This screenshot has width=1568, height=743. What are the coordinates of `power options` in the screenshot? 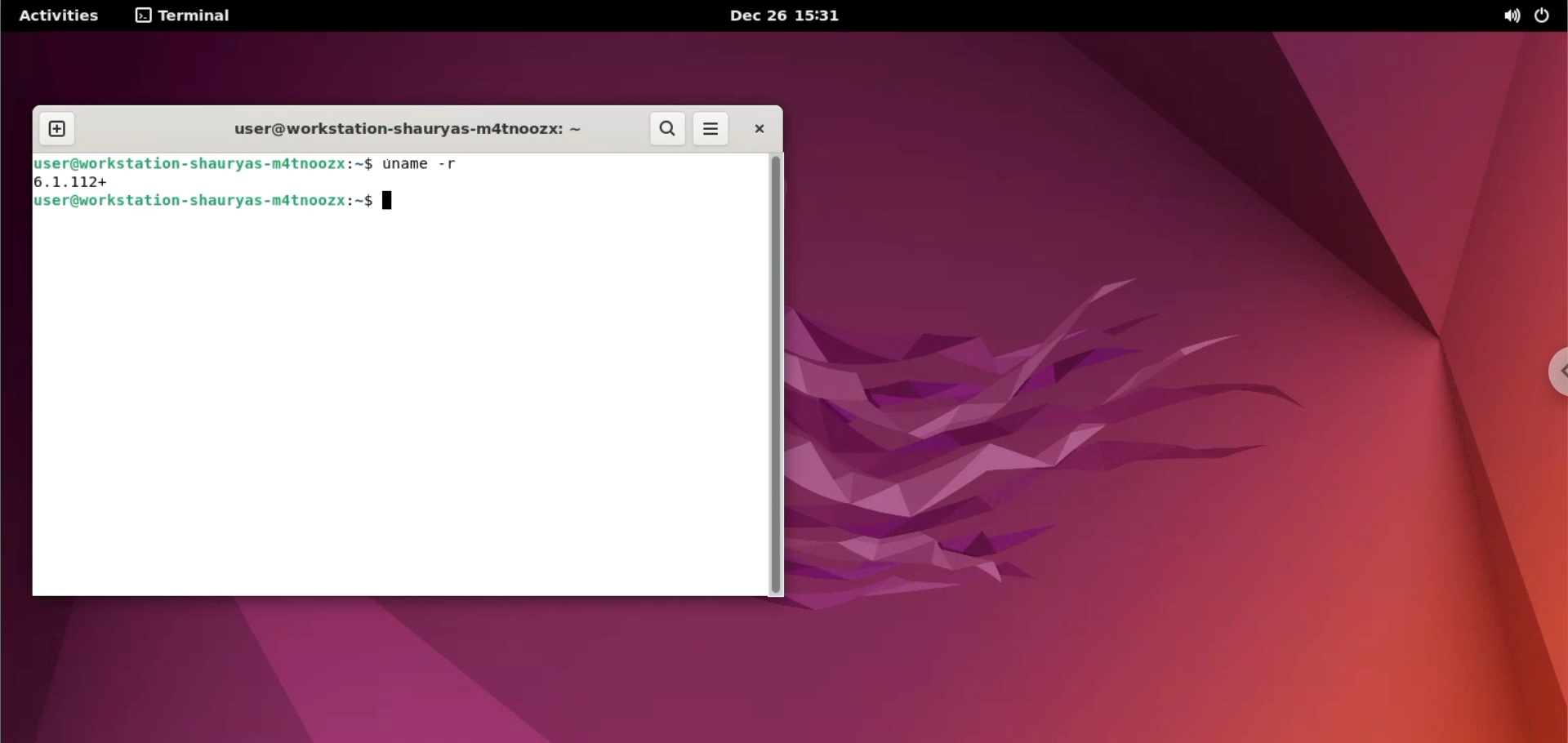 It's located at (1546, 17).